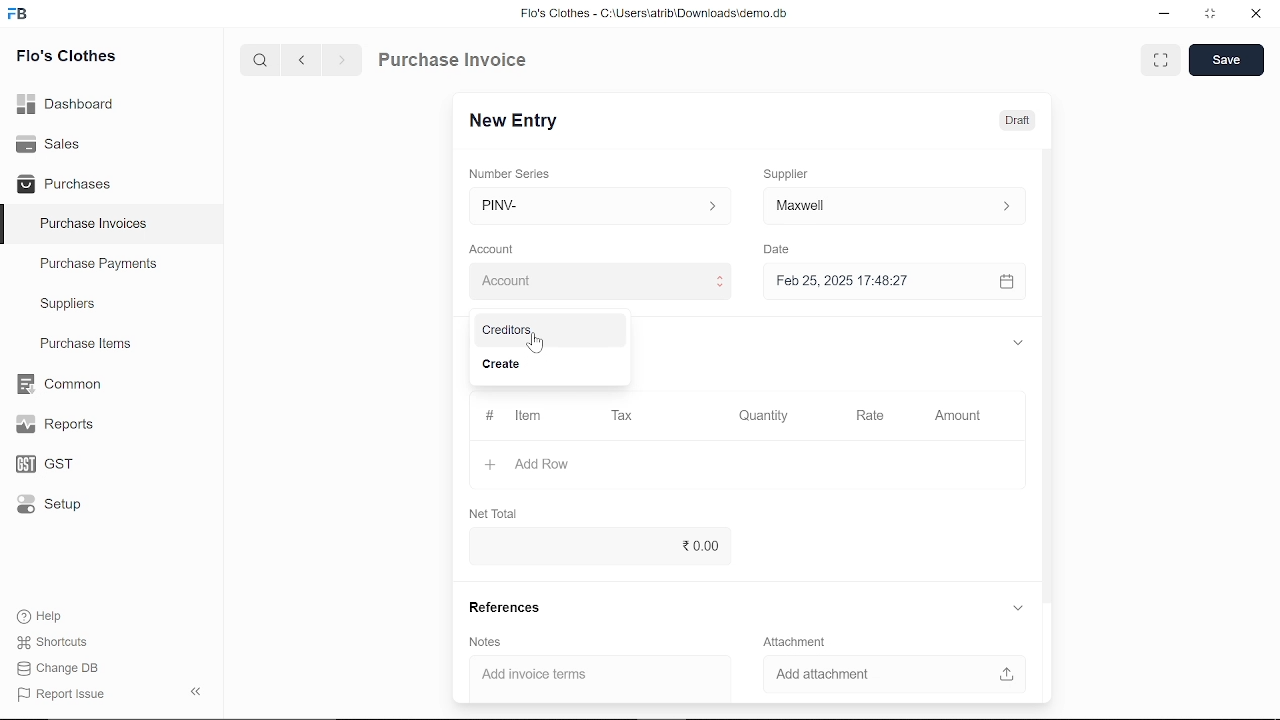  I want to click on Add attachment, so click(887, 672).